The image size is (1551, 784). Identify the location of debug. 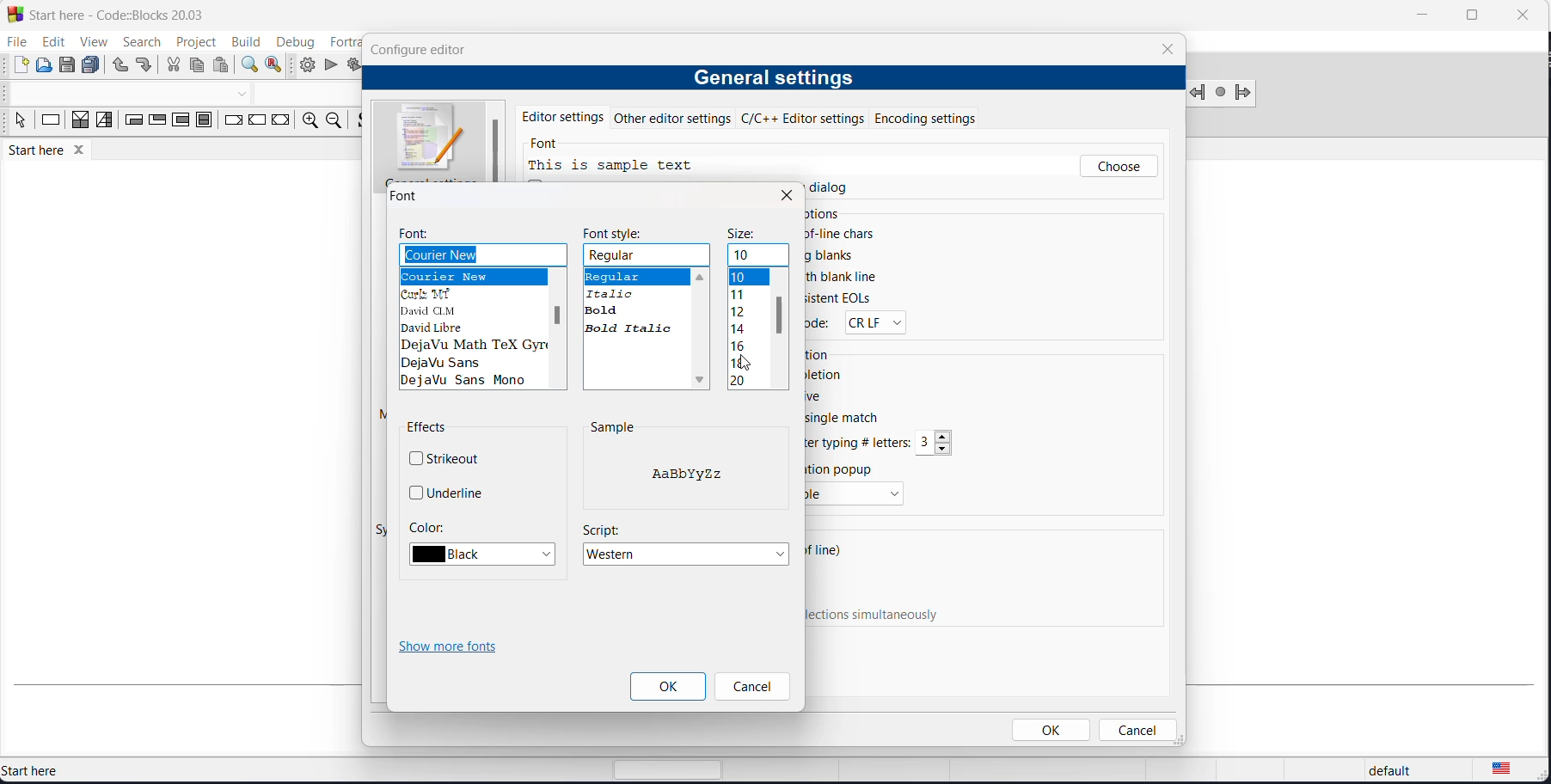
(294, 39).